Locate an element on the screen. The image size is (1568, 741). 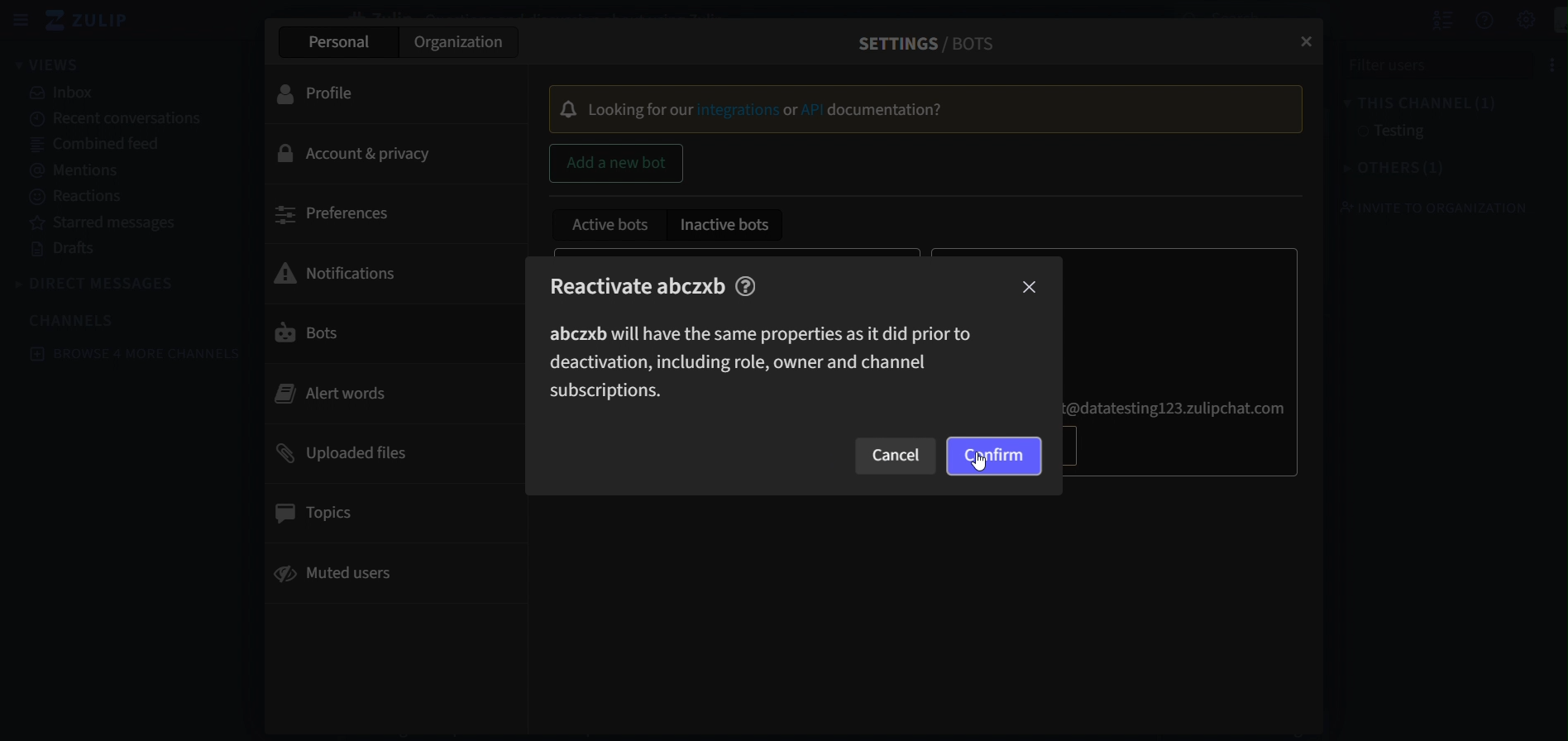
others(1) is located at coordinates (1394, 168).